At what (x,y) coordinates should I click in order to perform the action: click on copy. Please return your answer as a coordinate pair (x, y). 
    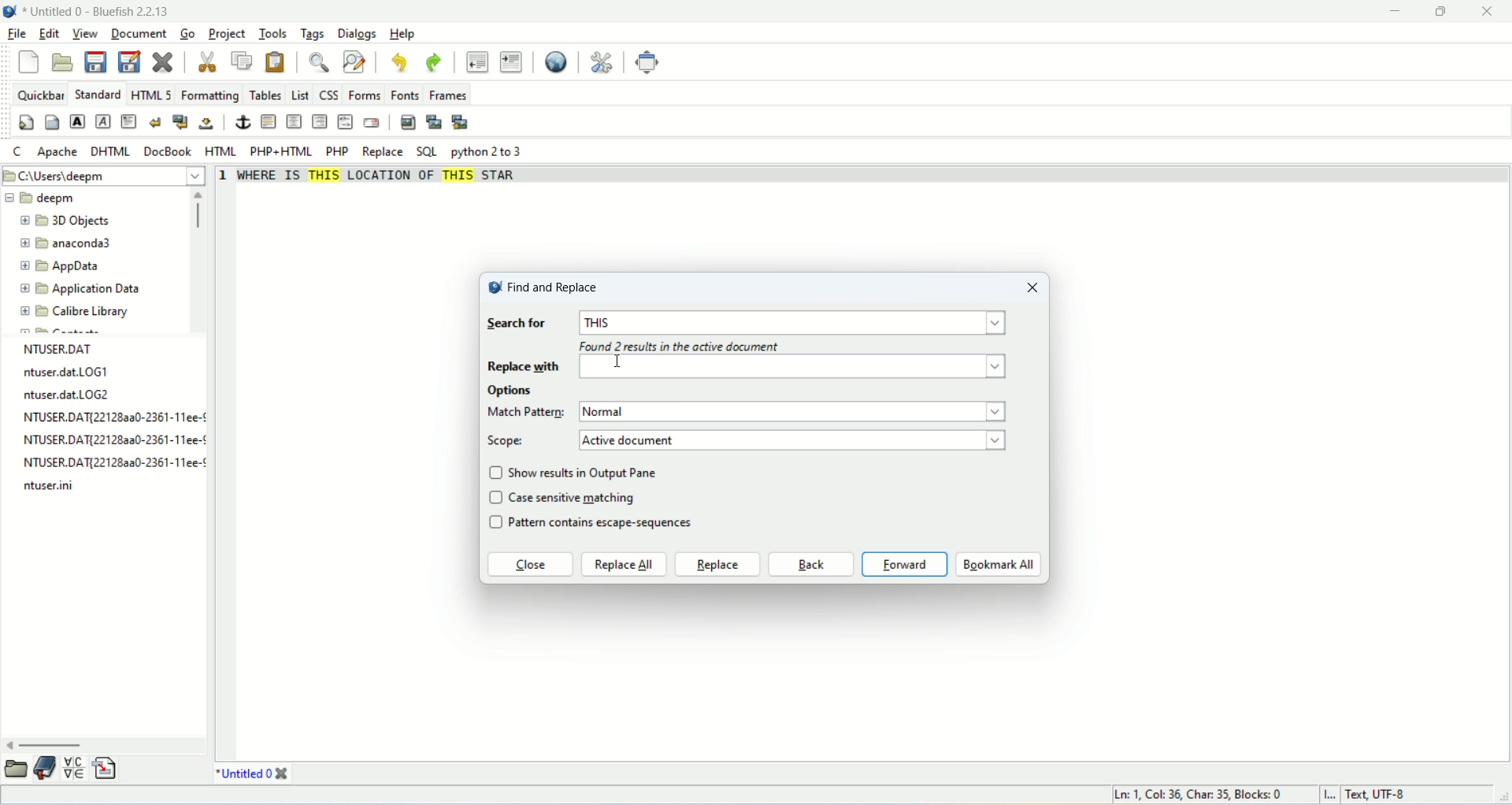
    Looking at the image, I should click on (243, 60).